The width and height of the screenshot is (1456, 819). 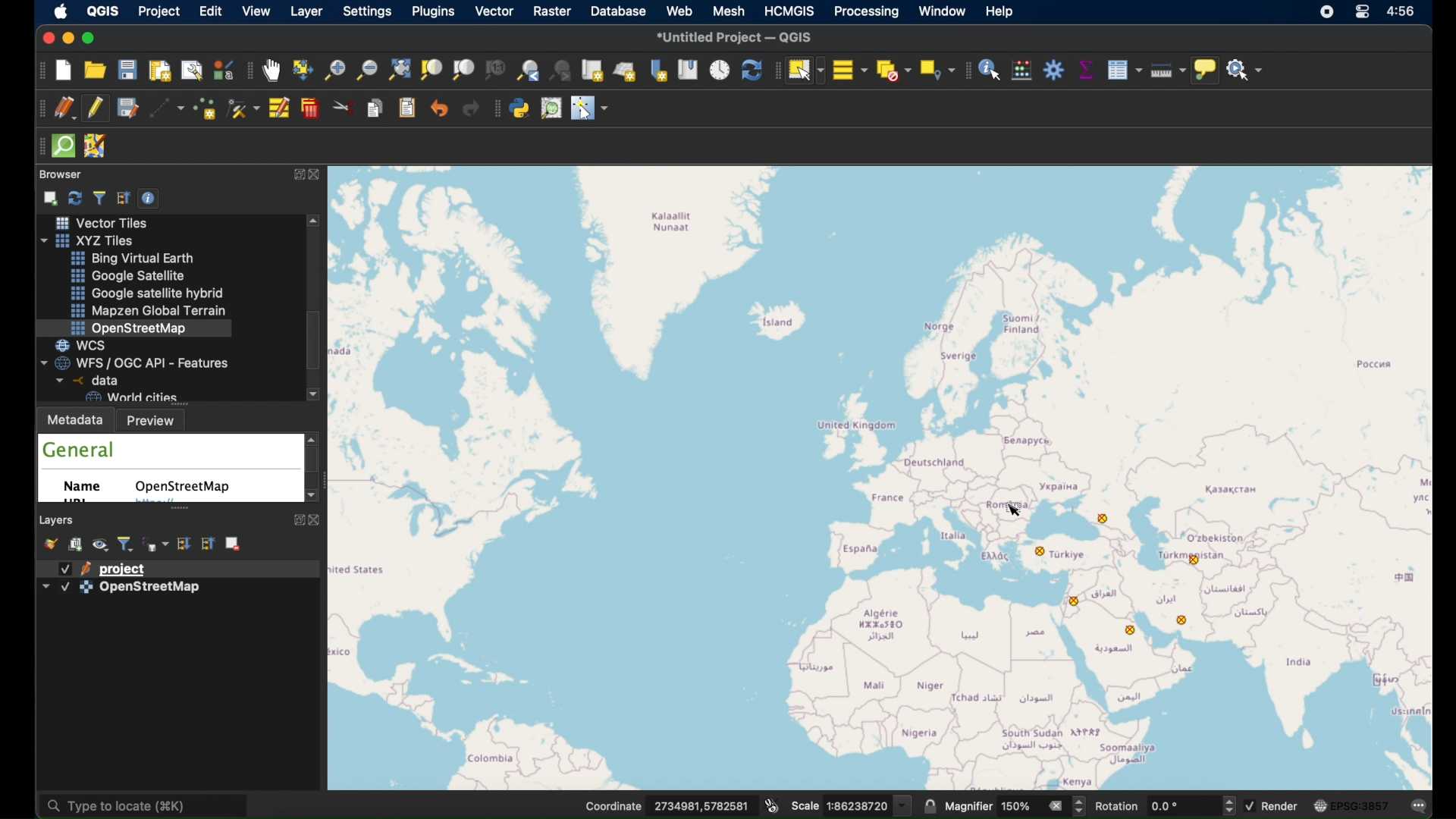 What do you see at coordinates (212, 11) in the screenshot?
I see `edit` at bounding box center [212, 11].